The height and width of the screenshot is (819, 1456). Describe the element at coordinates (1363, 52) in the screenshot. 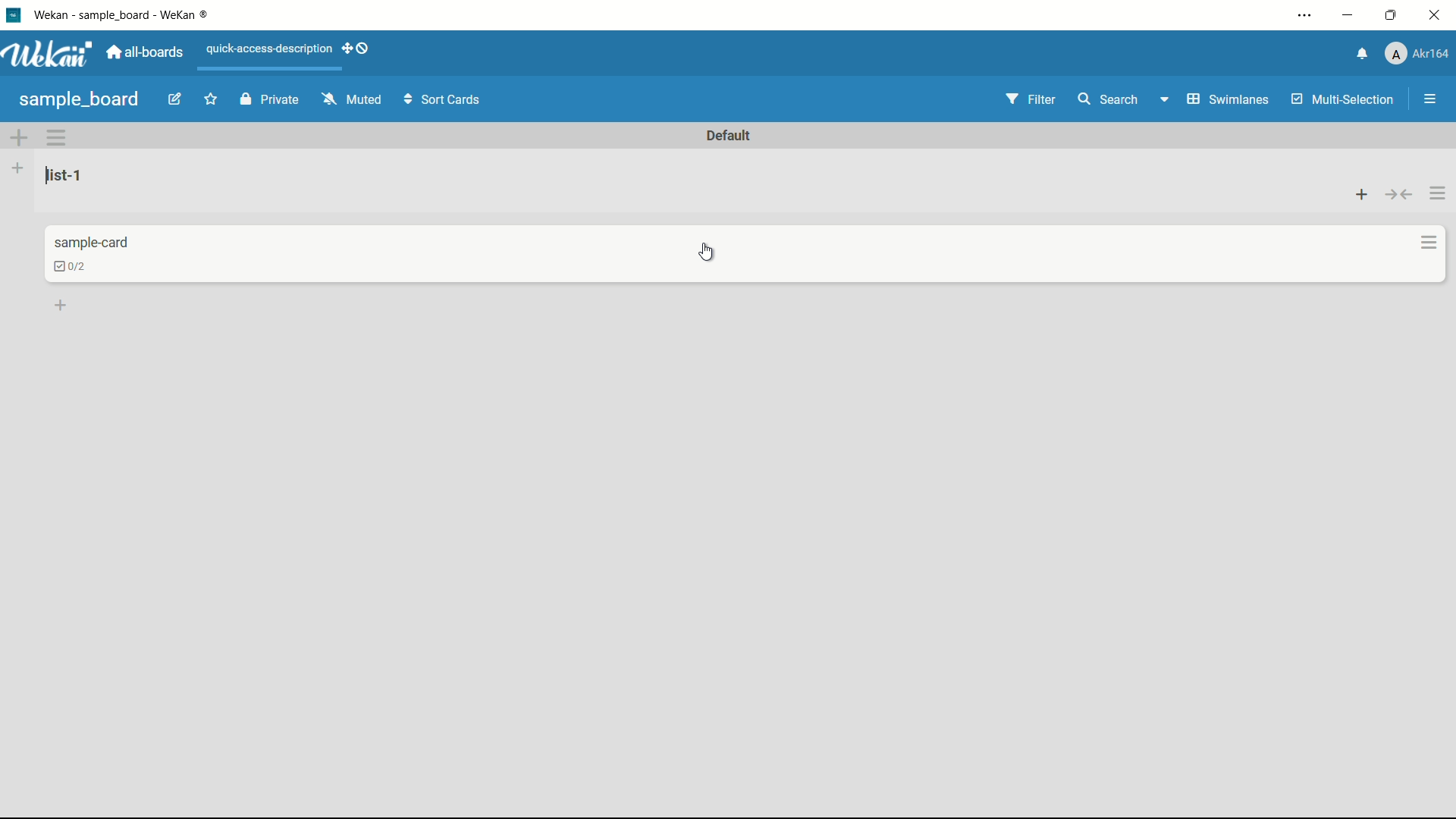

I see `notifications` at that location.